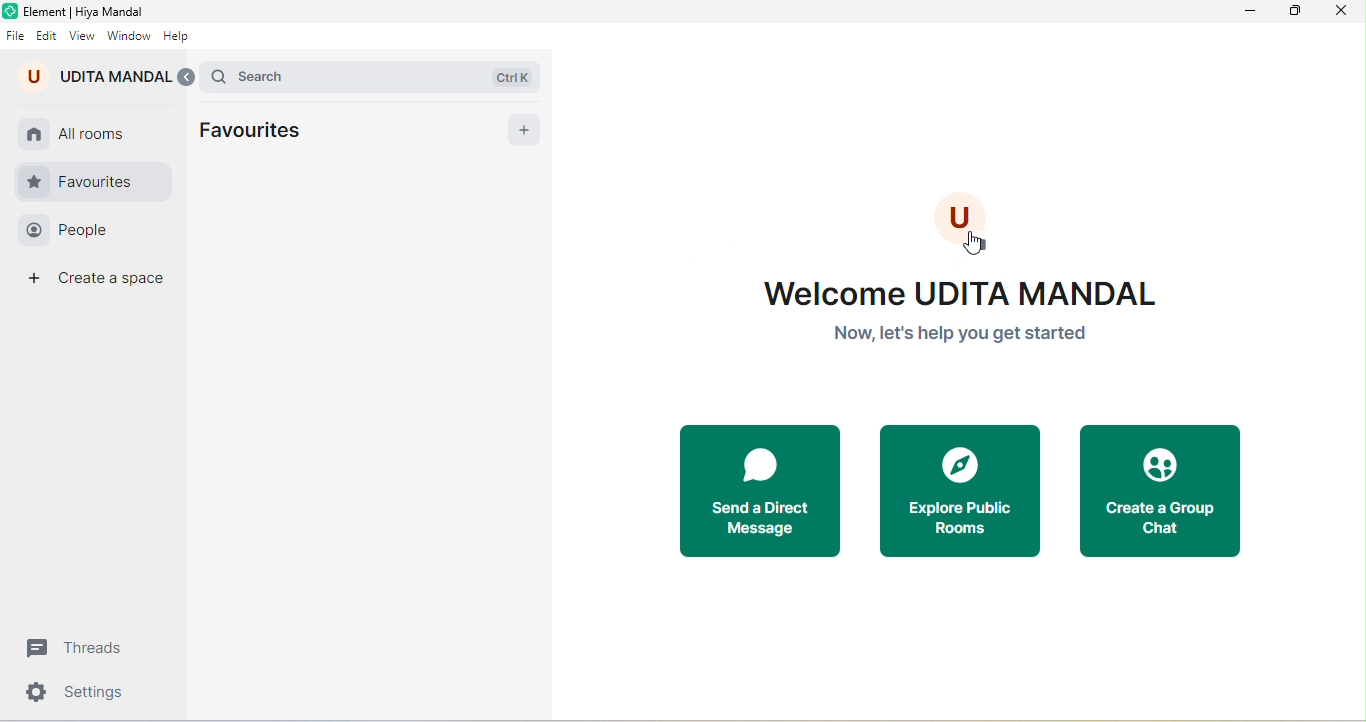 The width and height of the screenshot is (1366, 722). I want to click on thread, so click(82, 648).